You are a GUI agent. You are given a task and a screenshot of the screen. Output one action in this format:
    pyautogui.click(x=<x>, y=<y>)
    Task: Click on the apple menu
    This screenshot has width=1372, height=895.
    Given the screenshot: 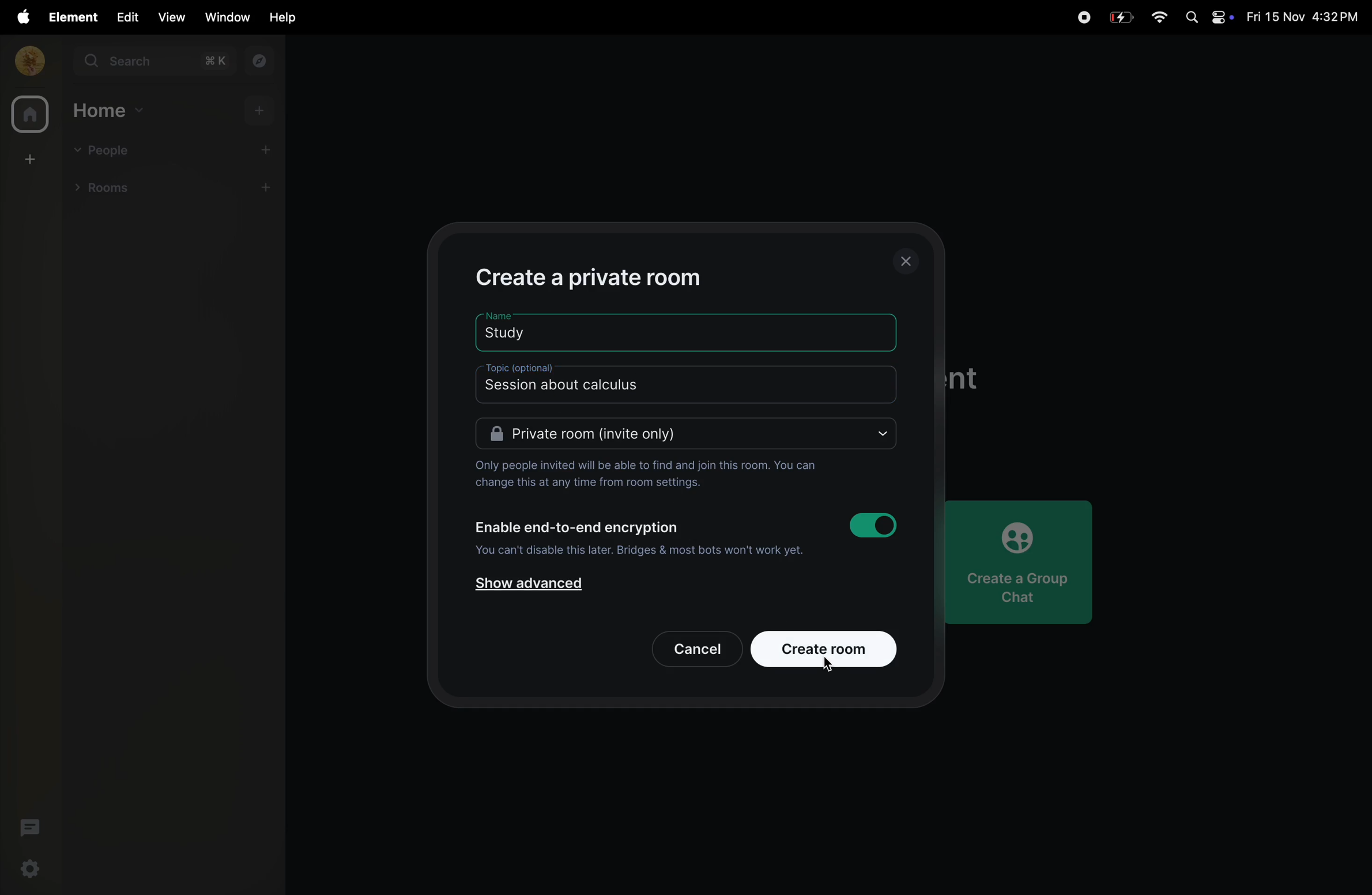 What is the action you would take?
    pyautogui.click(x=18, y=17)
    